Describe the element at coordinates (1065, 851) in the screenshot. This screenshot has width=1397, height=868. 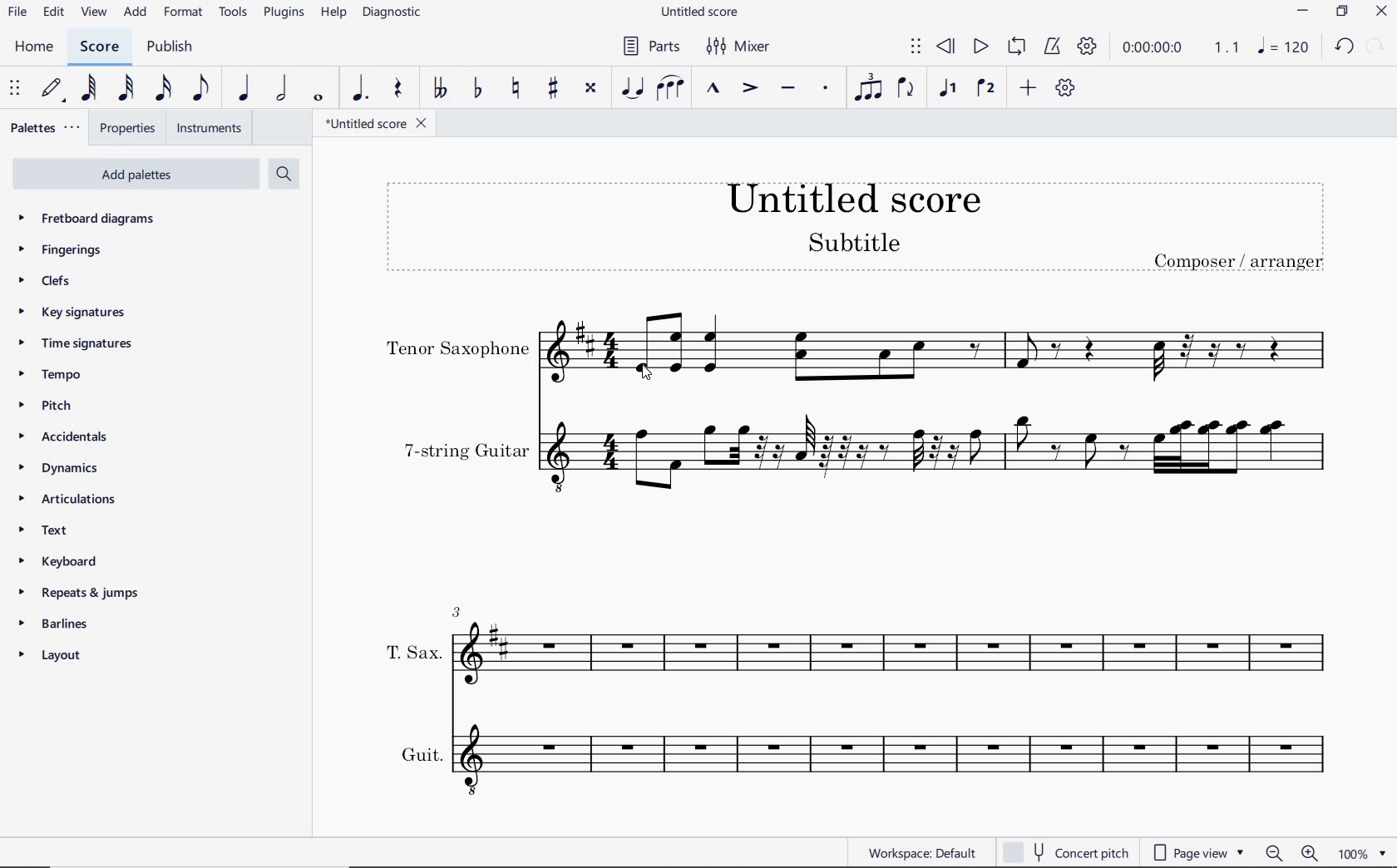
I see `CONCERT PITCH` at that location.